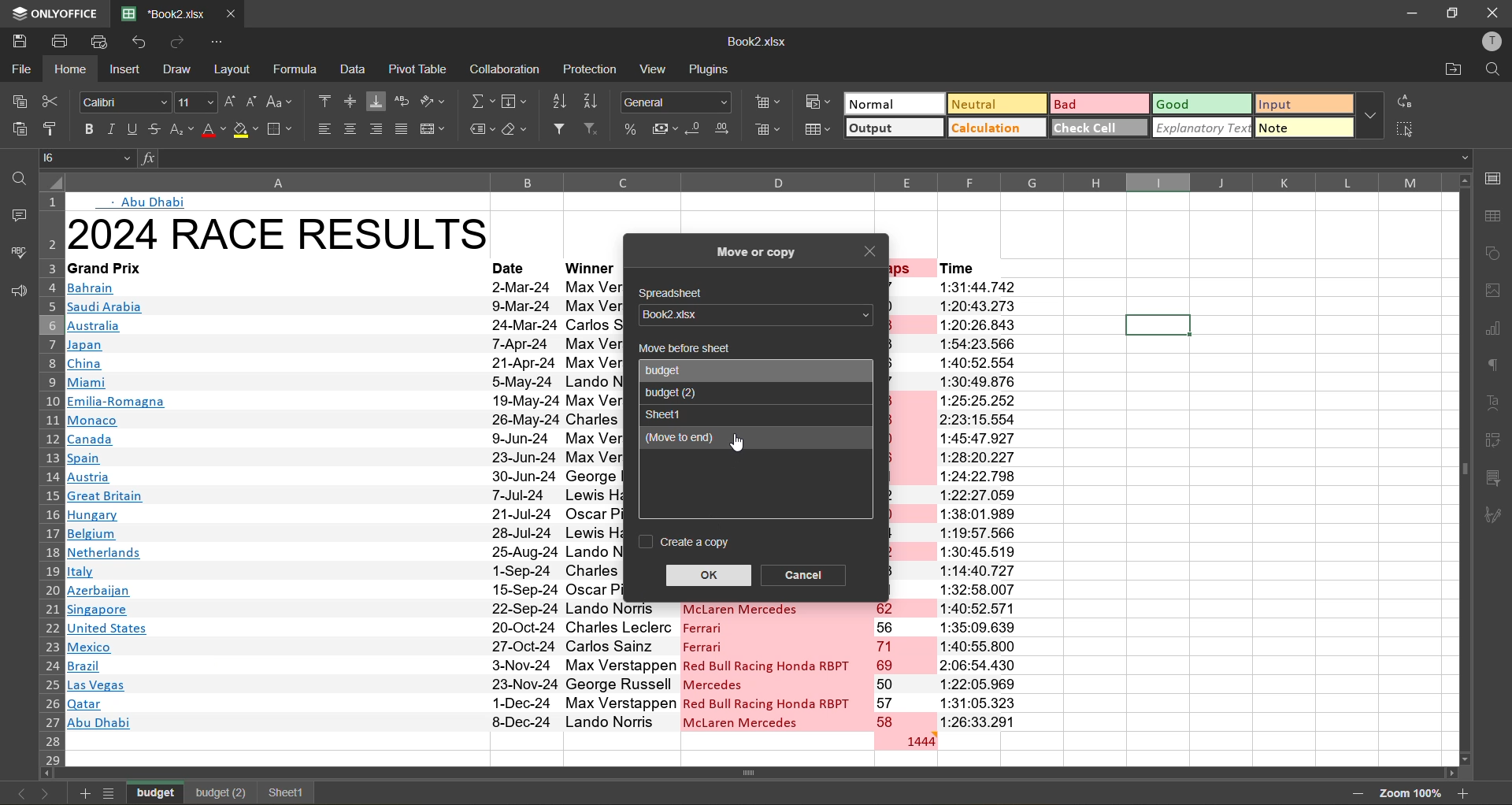 The image size is (1512, 805). Describe the element at coordinates (20, 102) in the screenshot. I see `copy` at that location.